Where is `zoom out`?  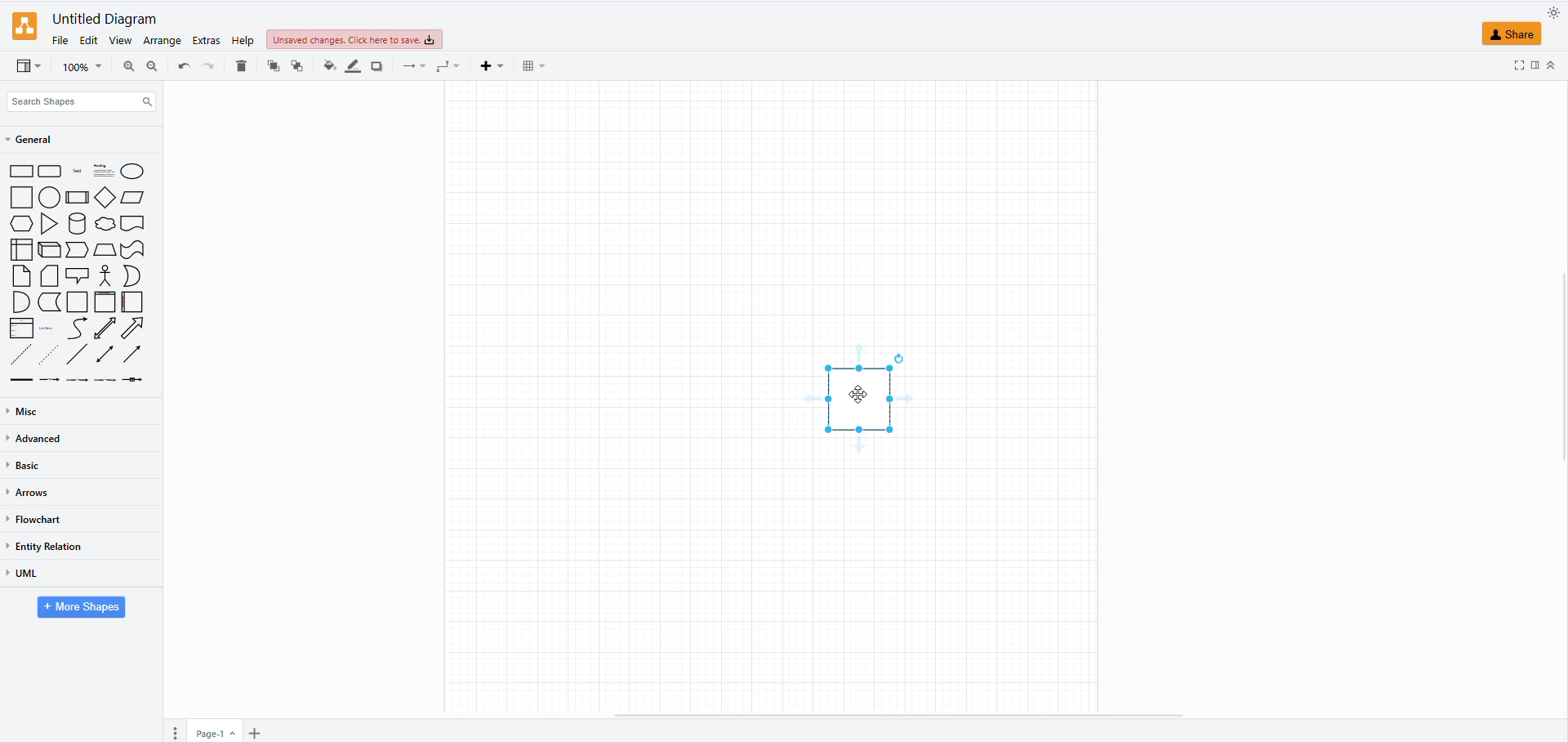 zoom out is located at coordinates (154, 63).